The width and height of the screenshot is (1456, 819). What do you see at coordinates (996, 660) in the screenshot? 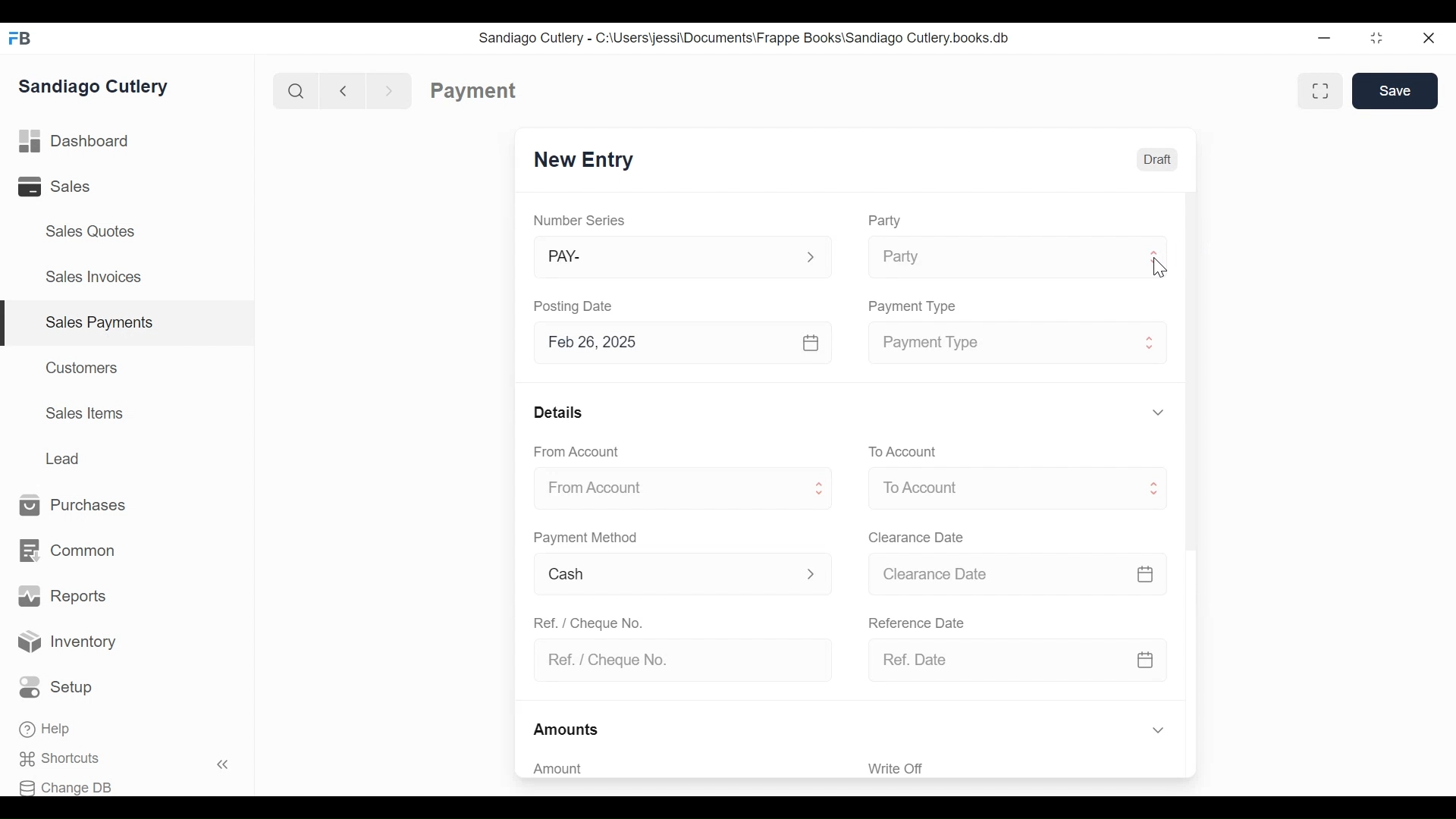
I see `Ref. Date` at bounding box center [996, 660].